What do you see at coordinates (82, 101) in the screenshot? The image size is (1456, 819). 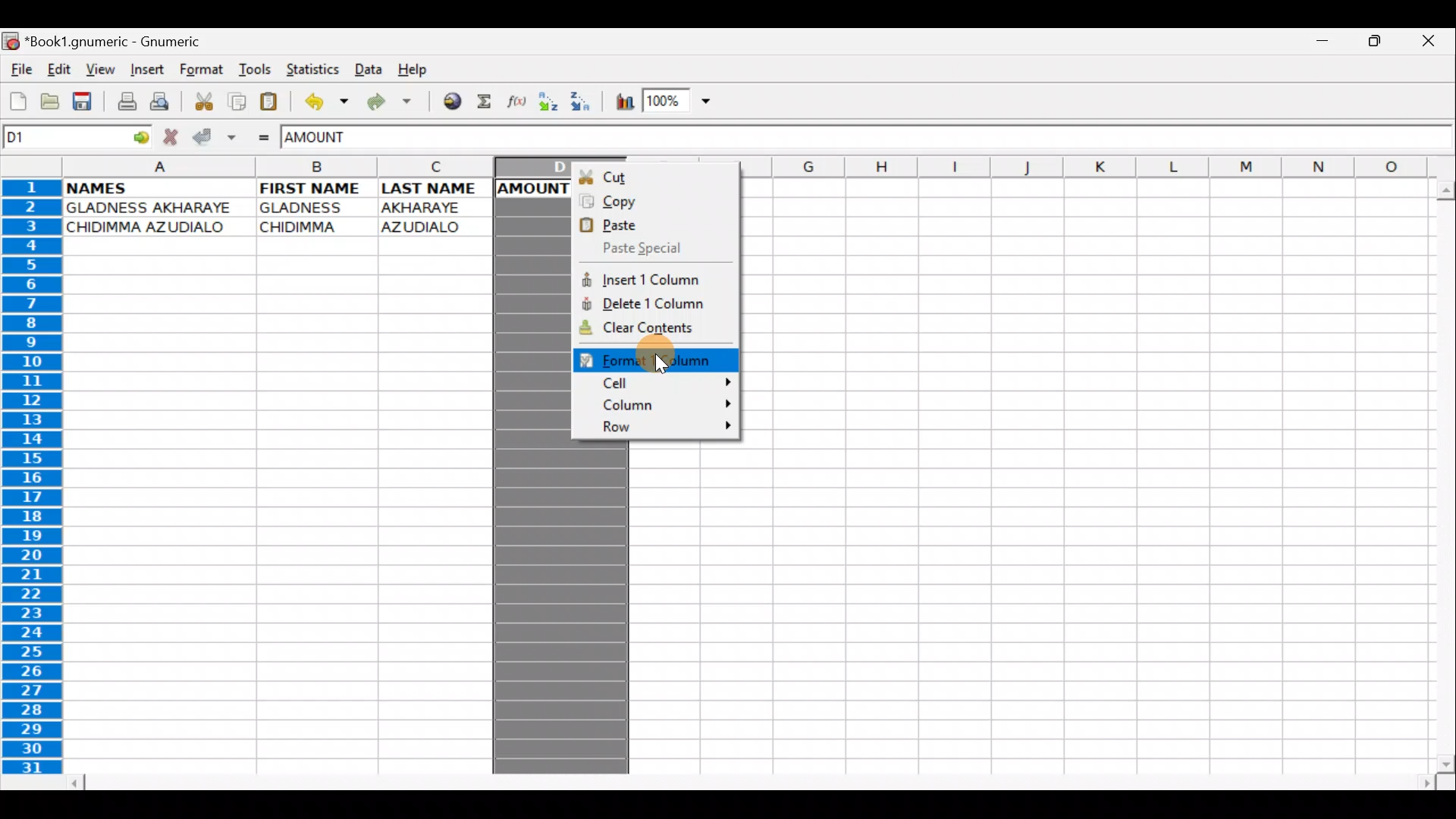 I see `Save current workbook` at bounding box center [82, 101].